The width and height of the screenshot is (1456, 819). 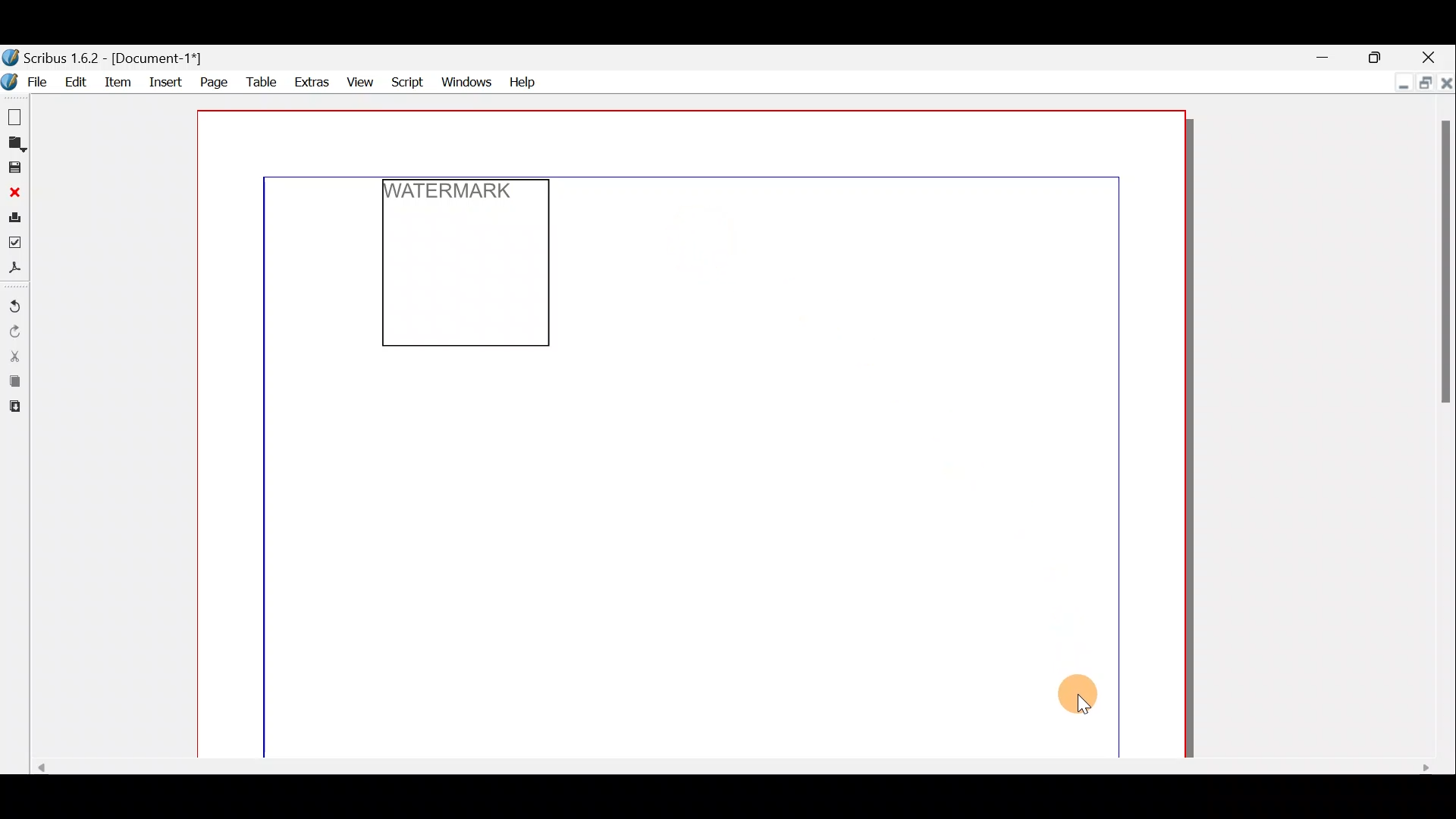 I want to click on Scroll bar, so click(x=724, y=769).